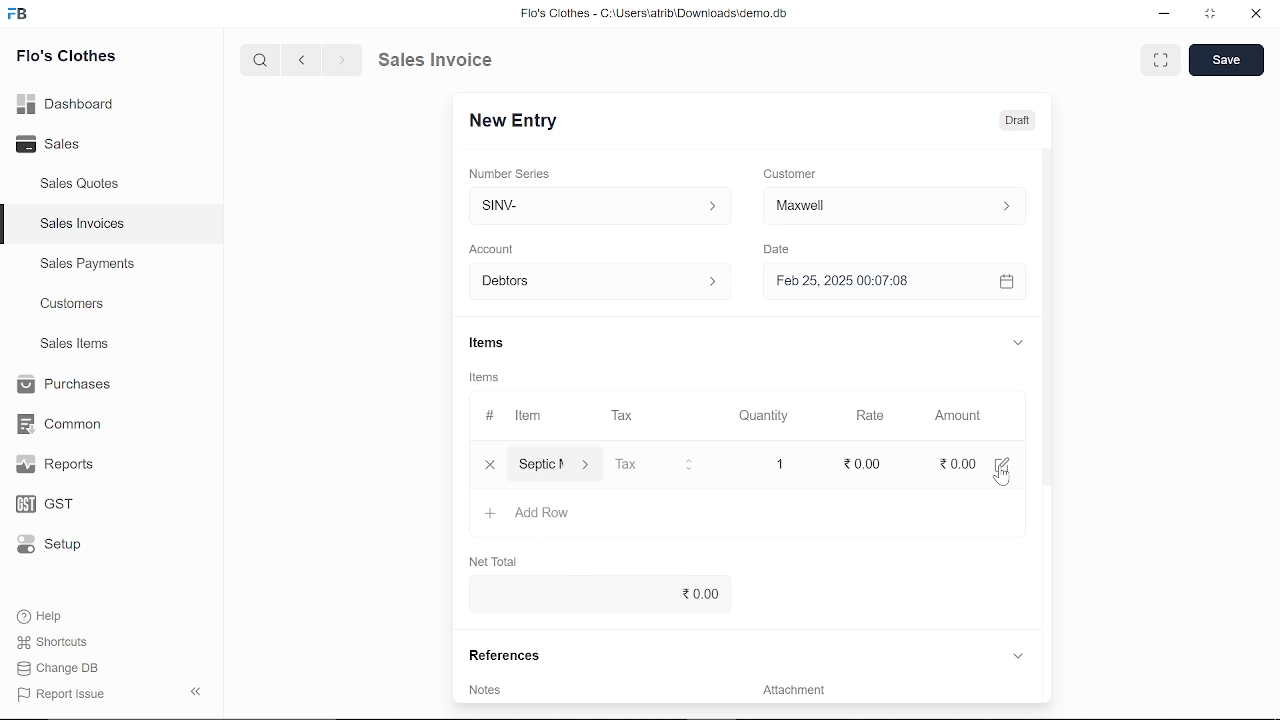 The height and width of the screenshot is (720, 1280). What do you see at coordinates (54, 544) in the screenshot?
I see `Setup` at bounding box center [54, 544].